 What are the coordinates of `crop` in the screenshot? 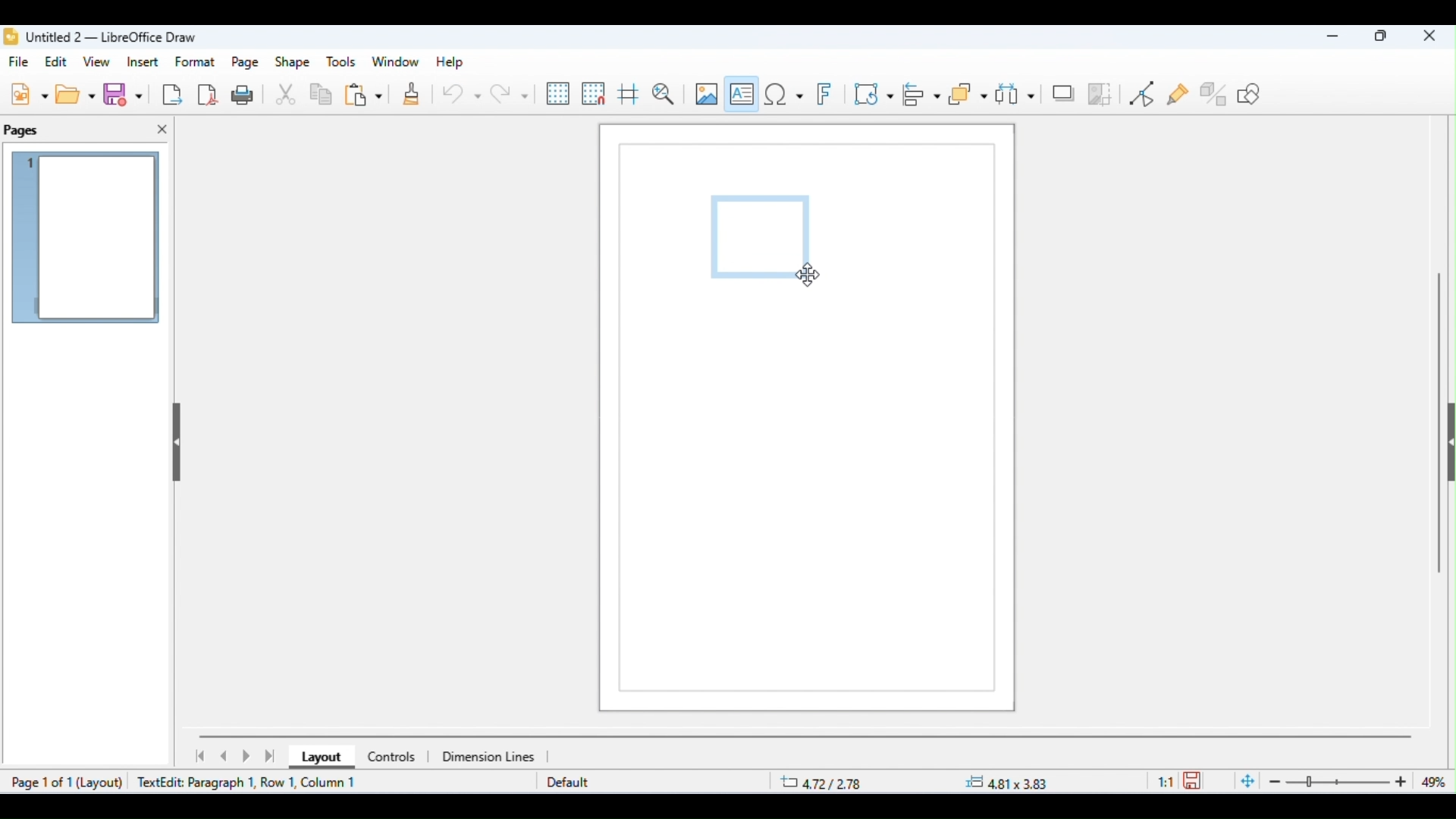 It's located at (1100, 93).